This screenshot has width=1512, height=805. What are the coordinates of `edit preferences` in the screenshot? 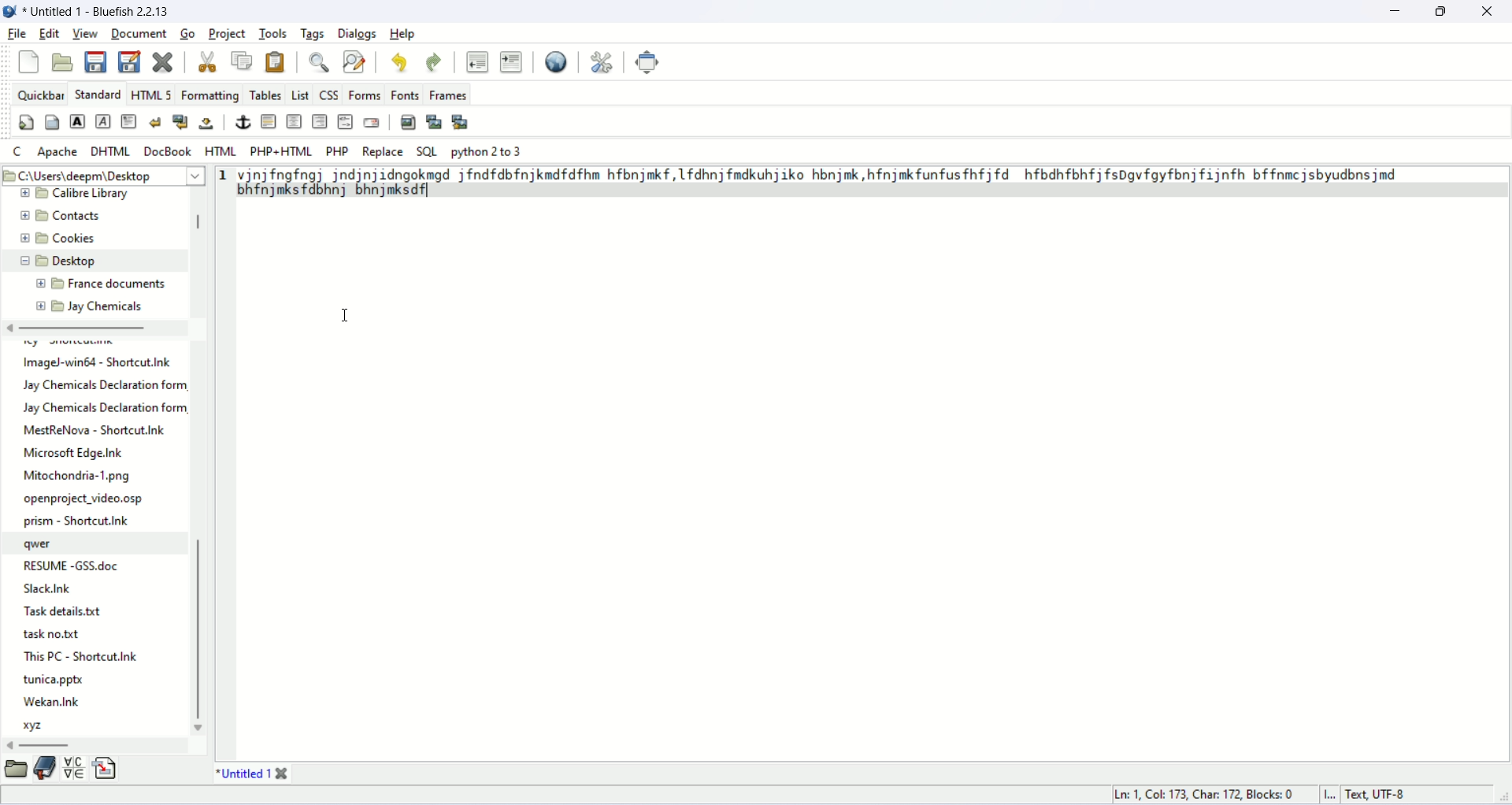 It's located at (603, 60).